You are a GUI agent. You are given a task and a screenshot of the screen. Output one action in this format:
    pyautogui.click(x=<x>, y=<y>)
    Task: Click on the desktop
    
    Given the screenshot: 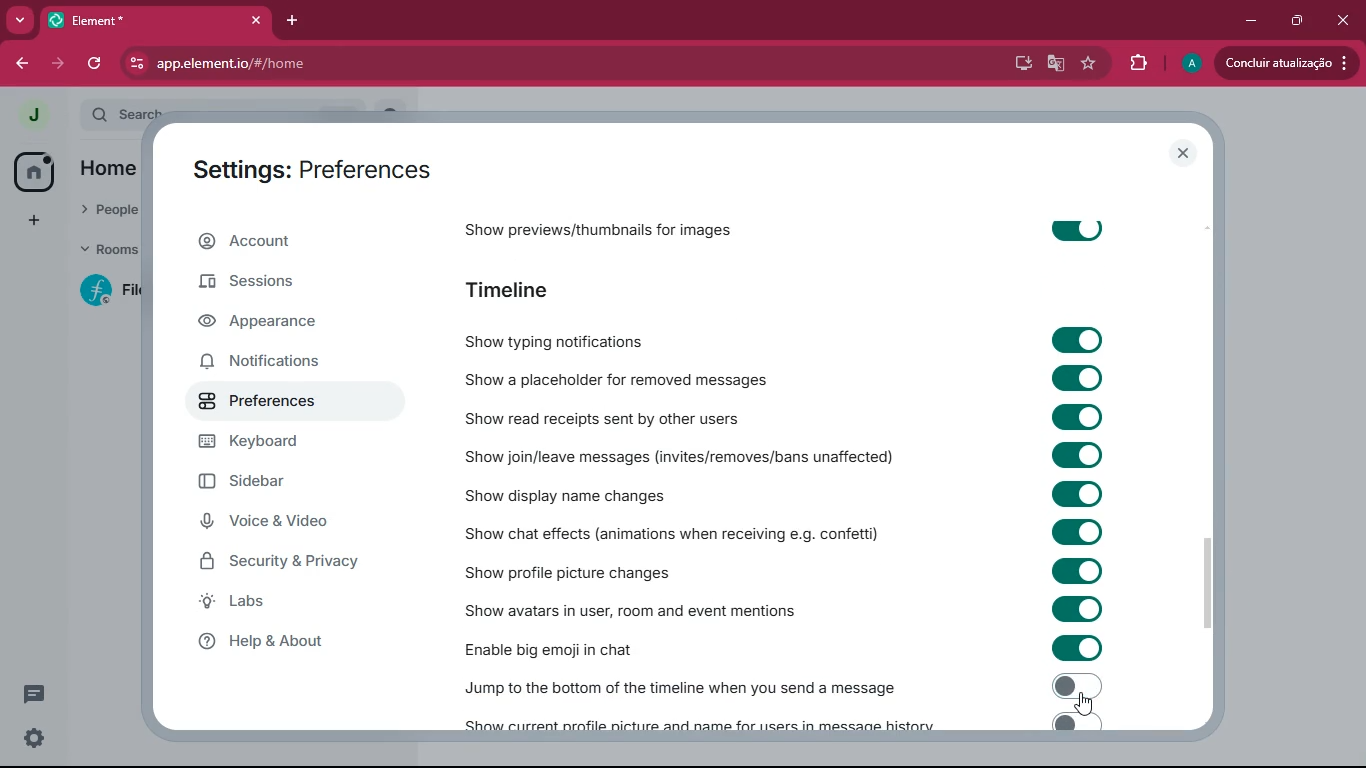 What is the action you would take?
    pyautogui.click(x=1015, y=63)
    